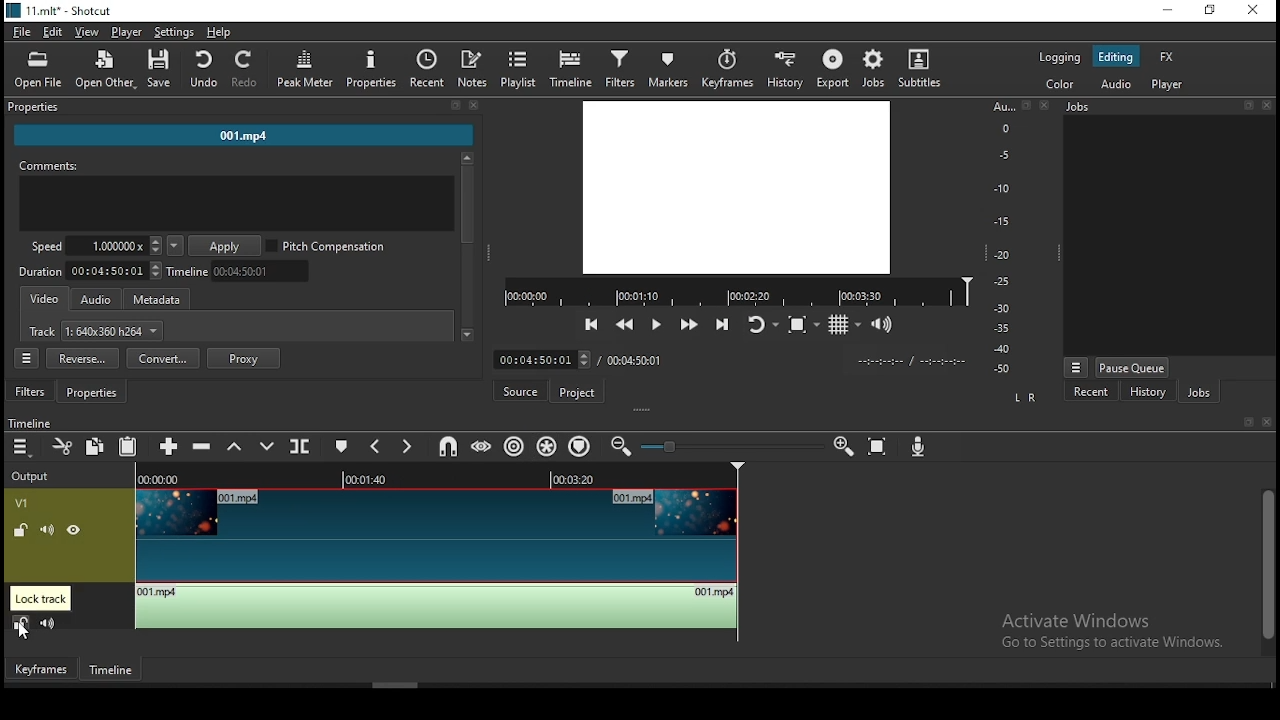  What do you see at coordinates (1091, 394) in the screenshot?
I see `recent` at bounding box center [1091, 394].